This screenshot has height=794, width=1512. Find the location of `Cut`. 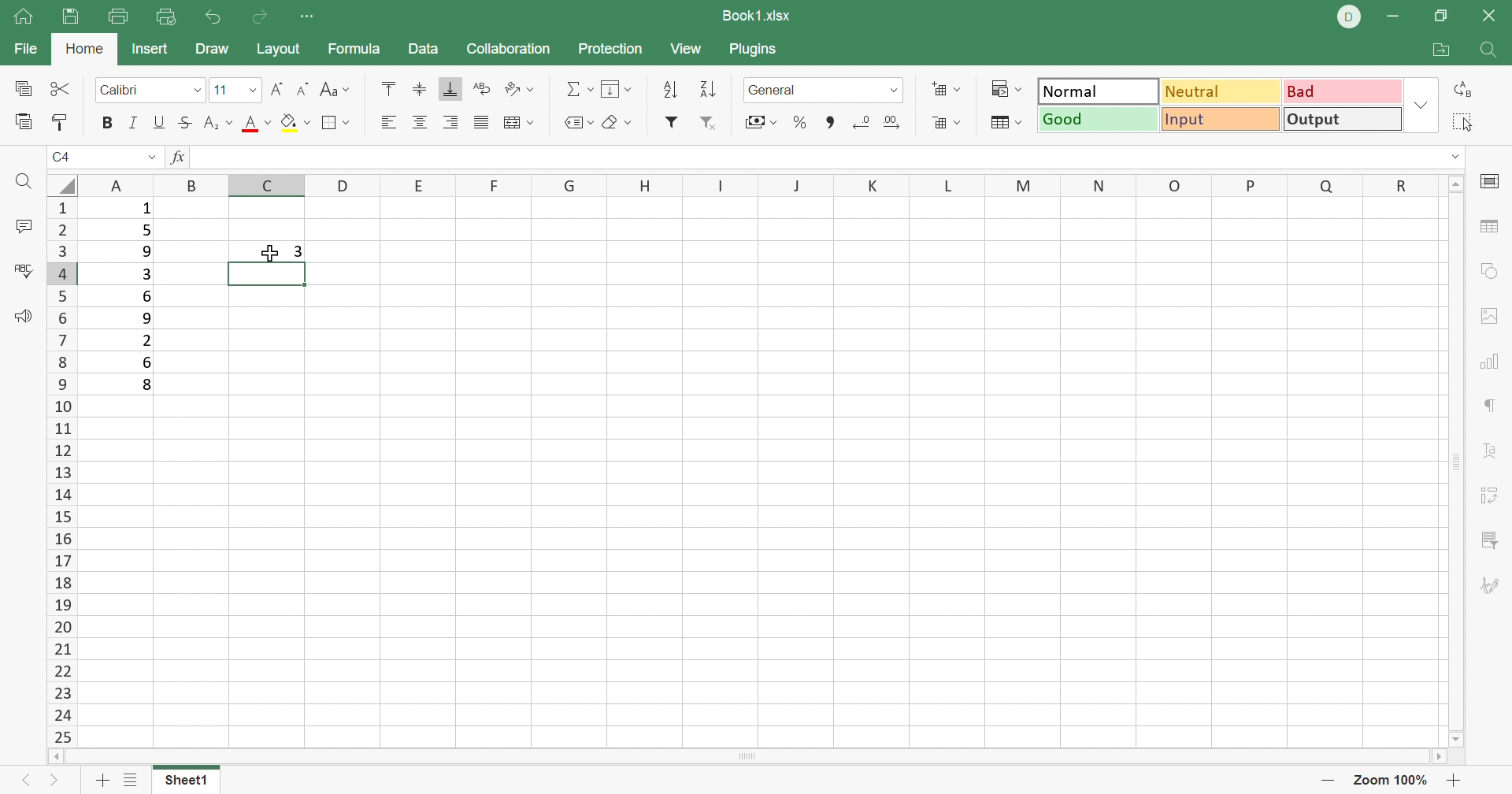

Cut is located at coordinates (62, 87).